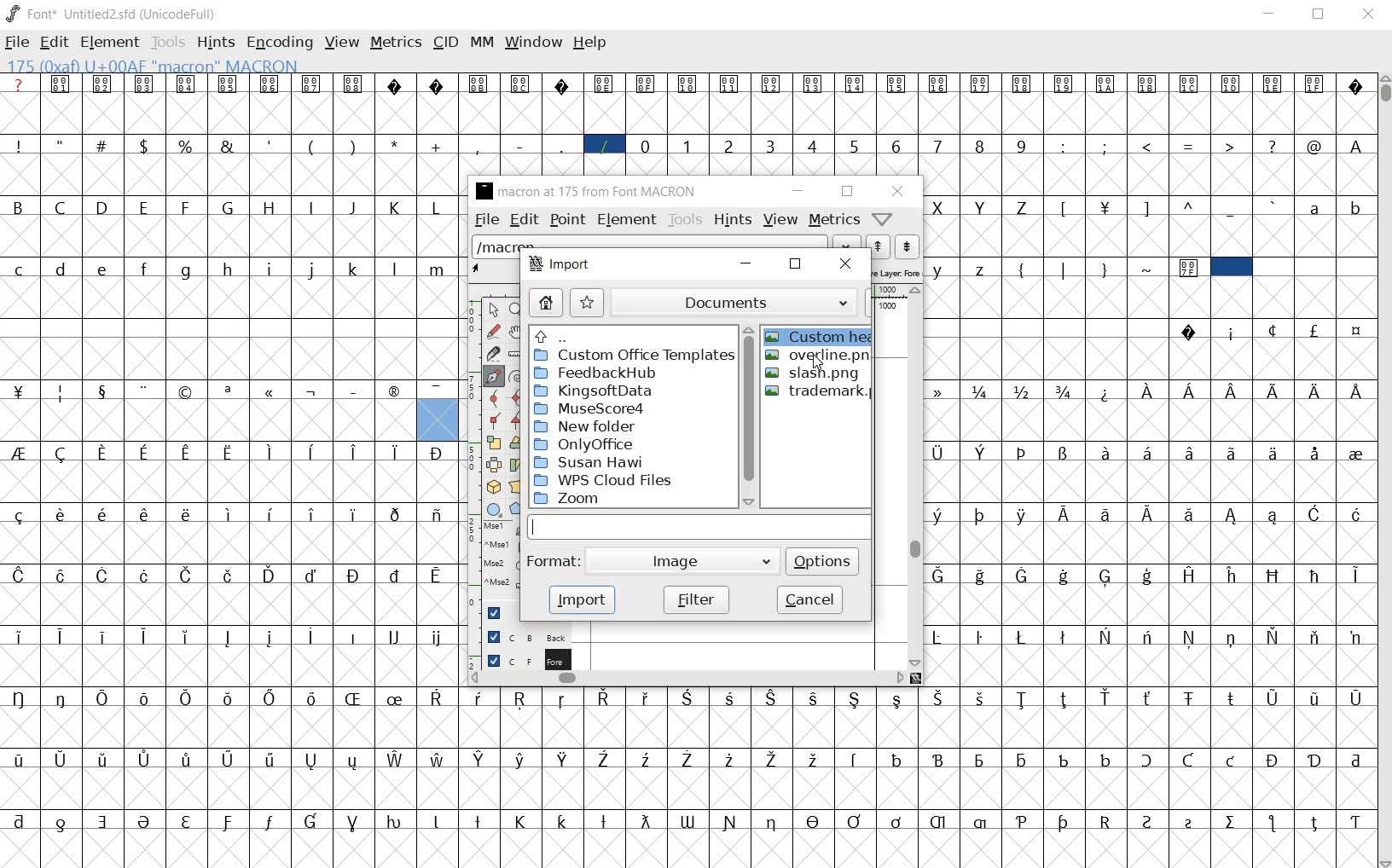 This screenshot has width=1392, height=868. Describe the element at coordinates (938, 515) in the screenshot. I see `Symbol` at that location.